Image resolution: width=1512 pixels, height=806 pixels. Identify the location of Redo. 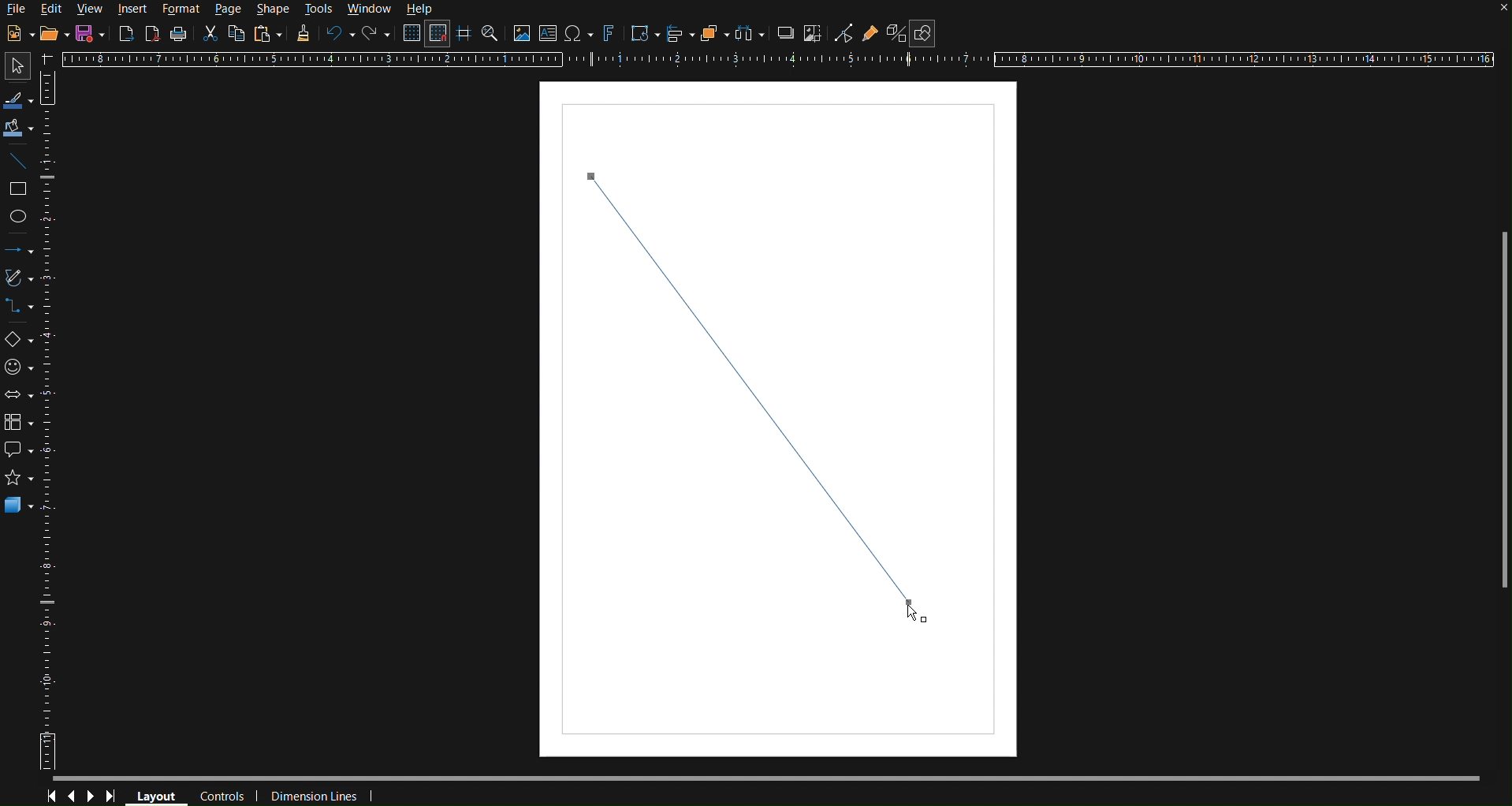
(378, 34).